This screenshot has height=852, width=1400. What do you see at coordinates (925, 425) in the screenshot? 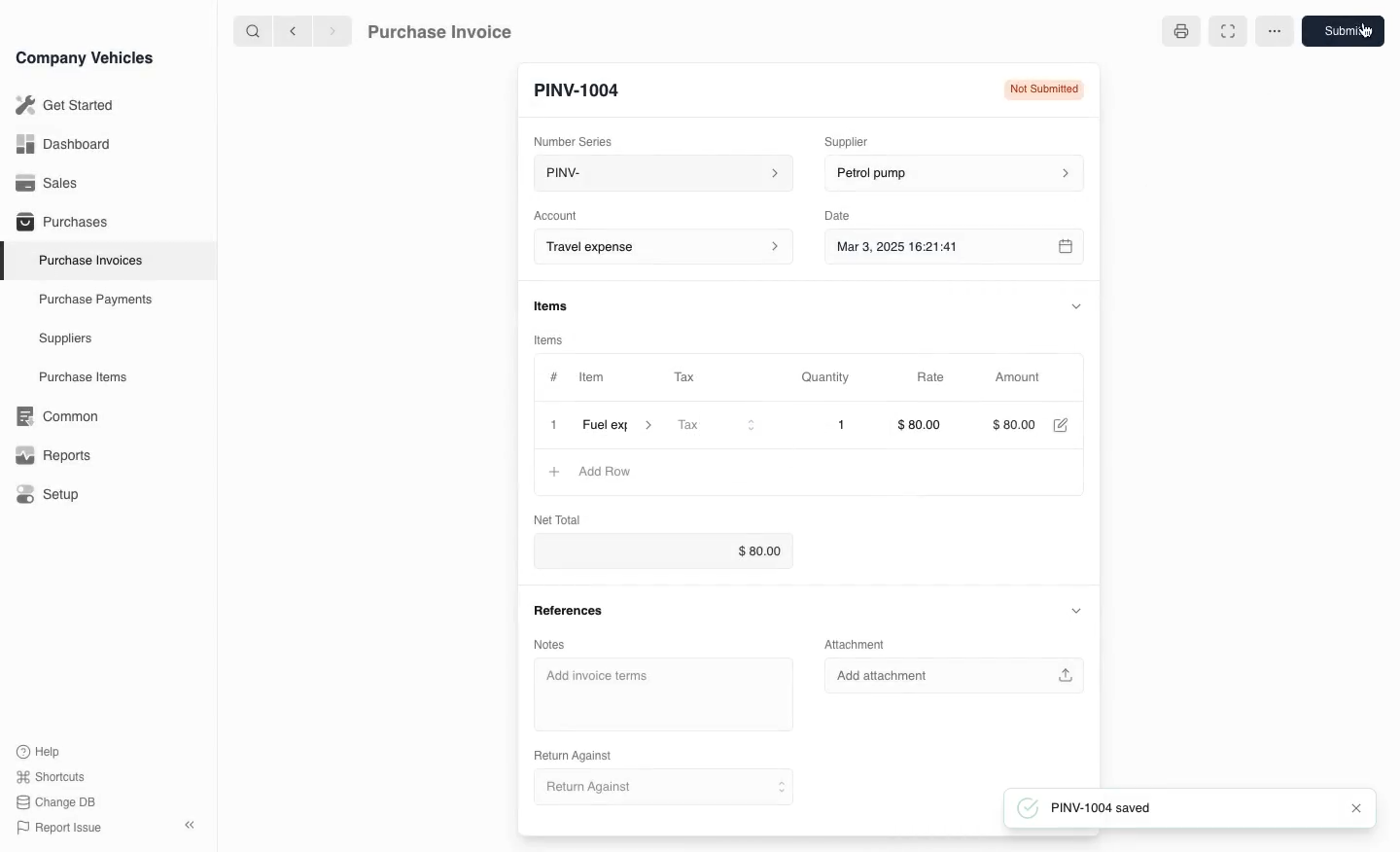
I see `$80.00` at bounding box center [925, 425].